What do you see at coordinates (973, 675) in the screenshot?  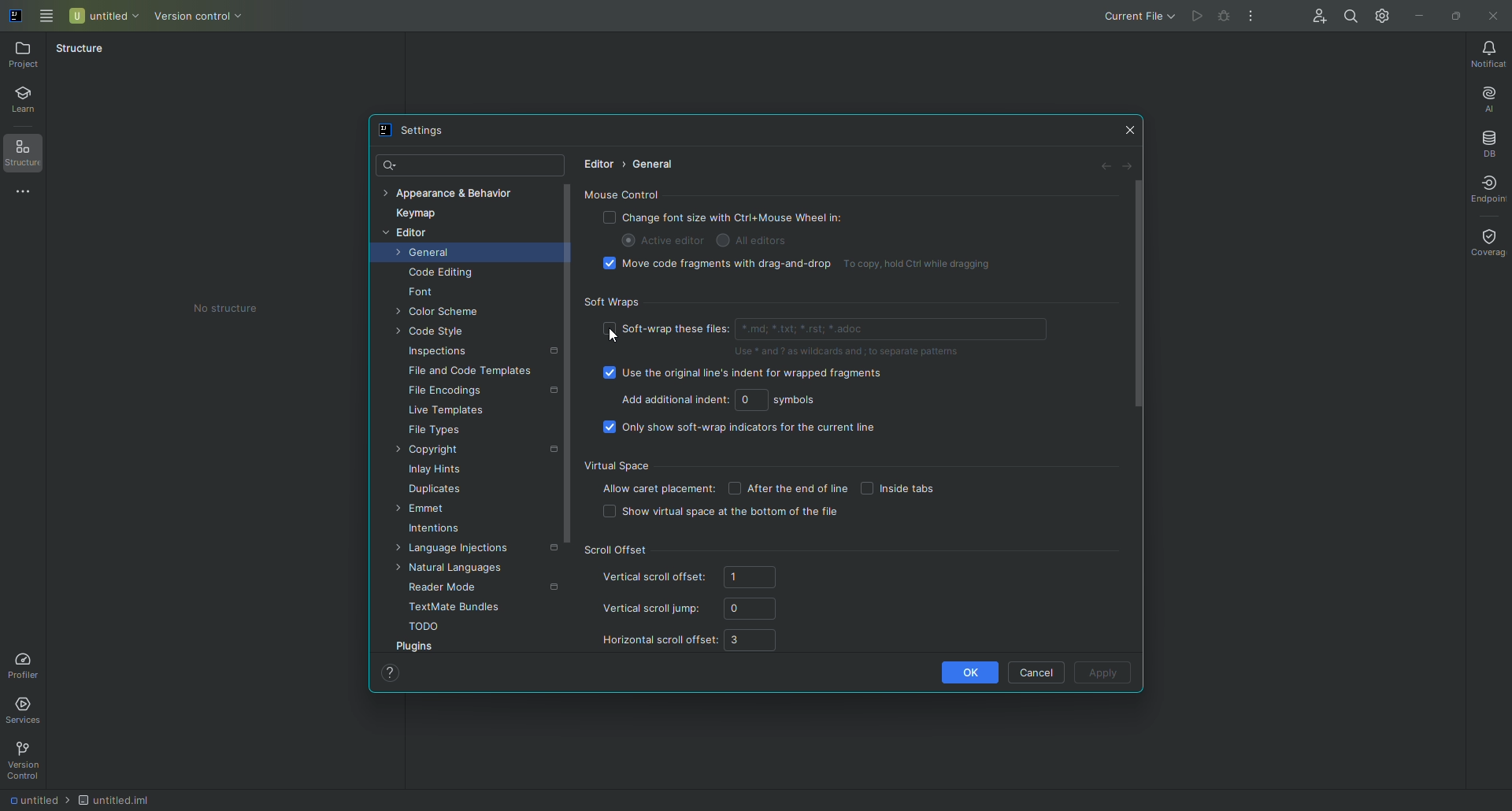 I see `OK` at bounding box center [973, 675].